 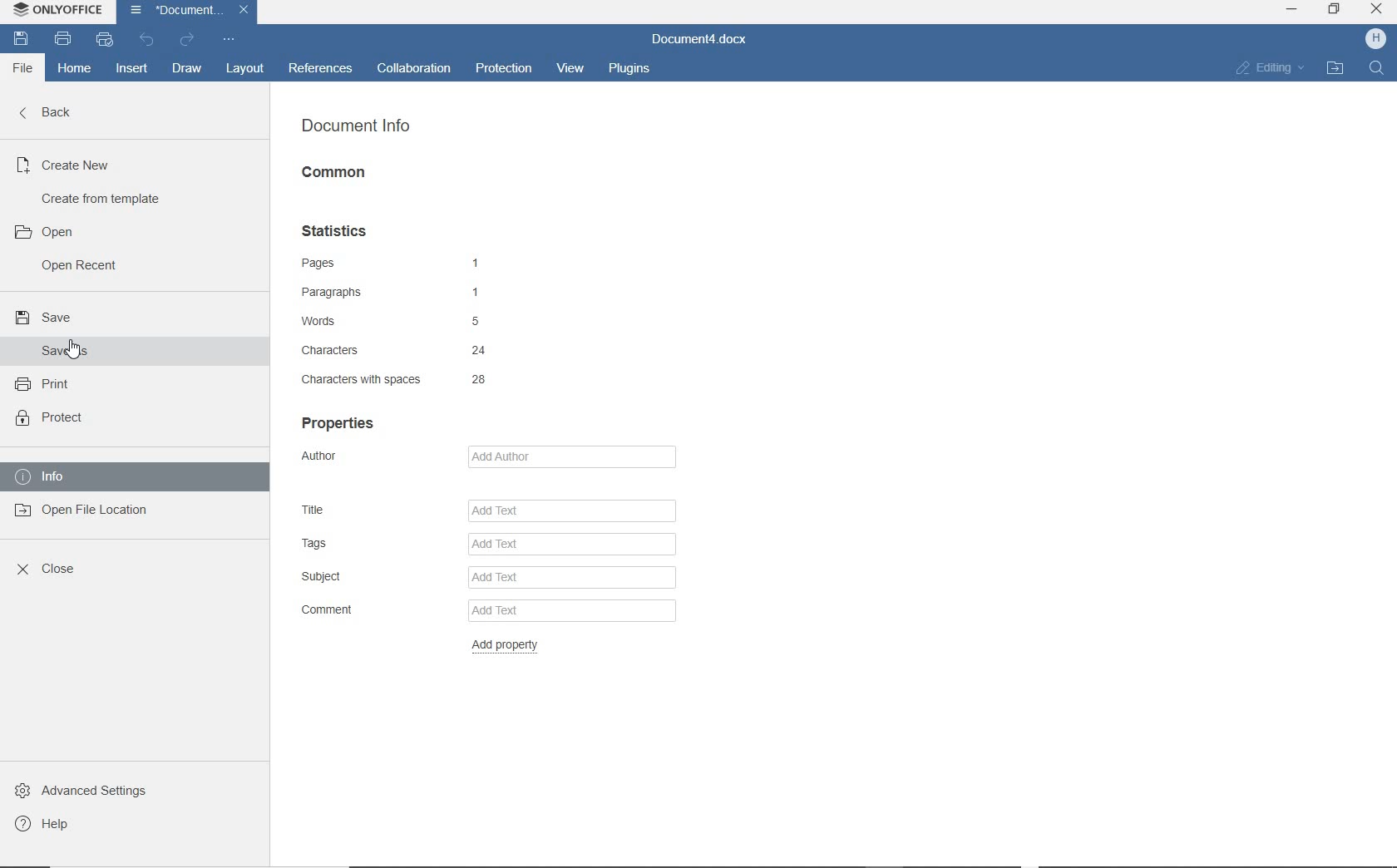 What do you see at coordinates (146, 40) in the screenshot?
I see `undo` at bounding box center [146, 40].